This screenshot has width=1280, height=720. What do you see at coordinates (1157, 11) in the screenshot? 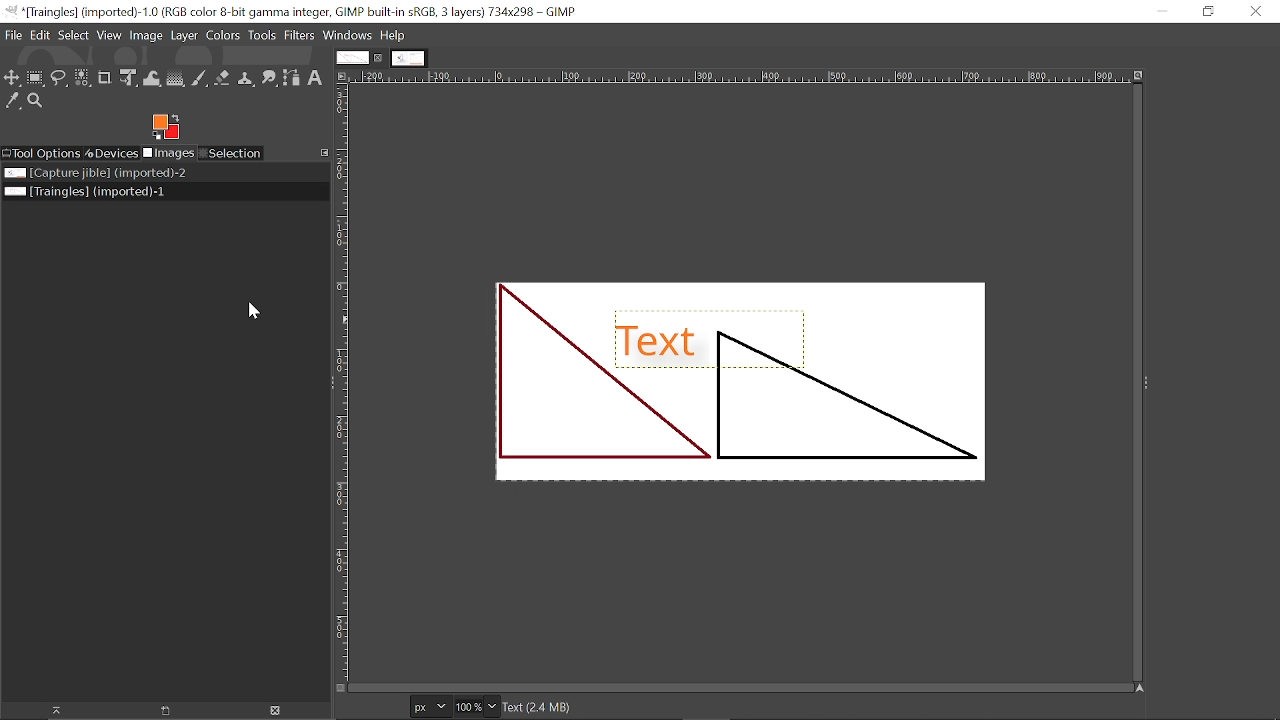
I see `Minimize` at bounding box center [1157, 11].